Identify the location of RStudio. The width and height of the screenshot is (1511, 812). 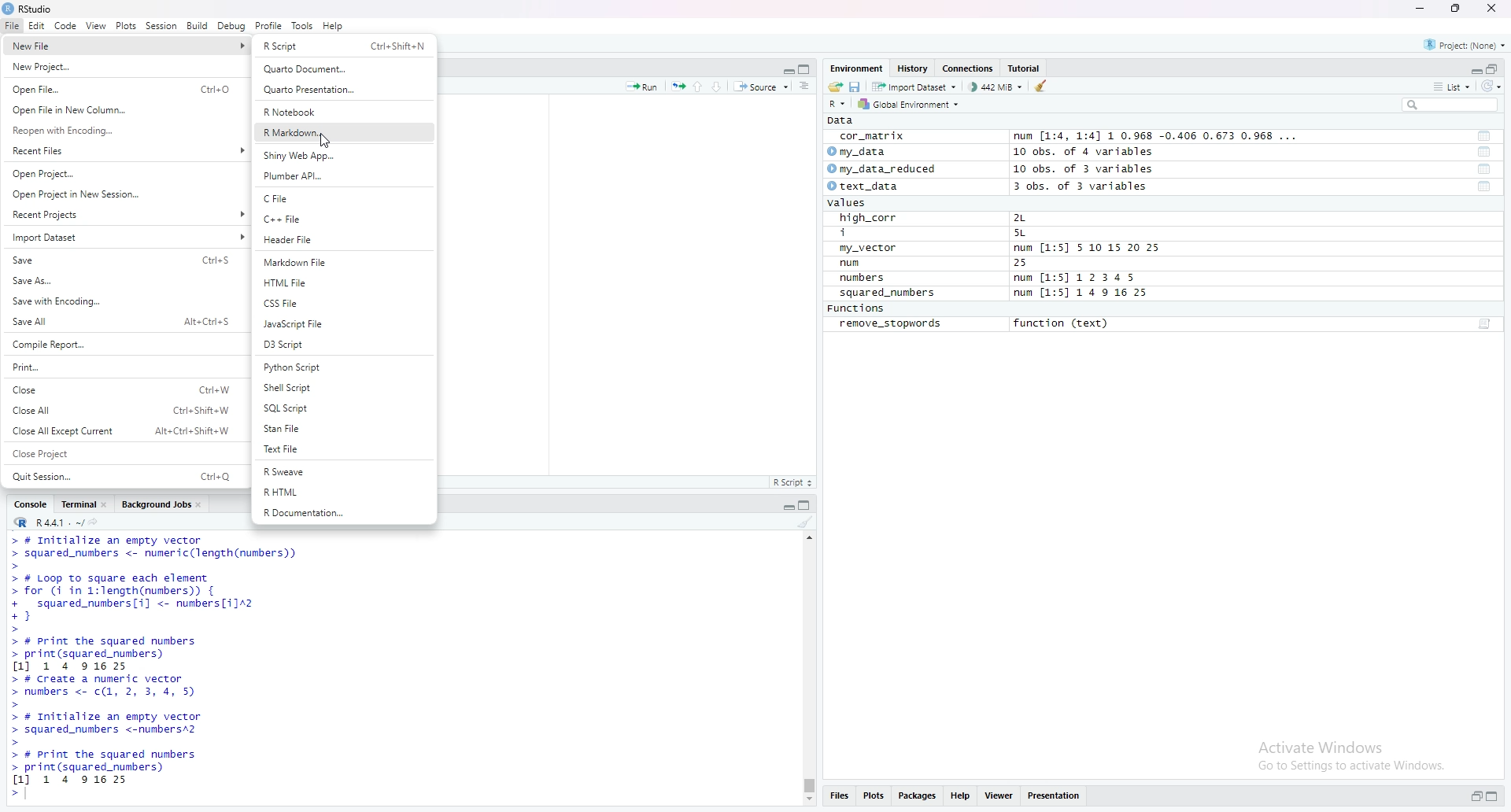
(29, 9).